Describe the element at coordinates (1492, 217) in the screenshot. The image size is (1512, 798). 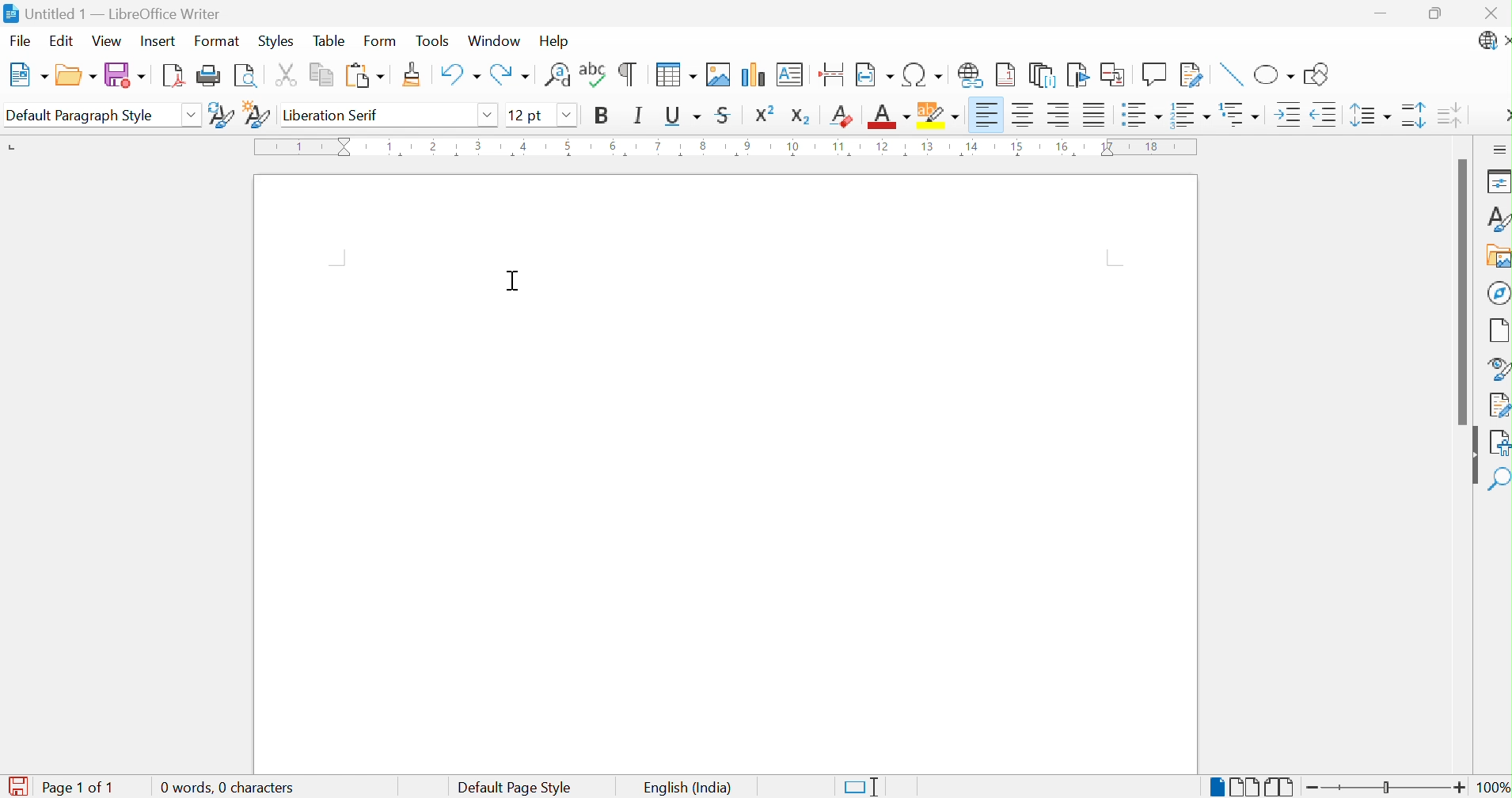
I see `Styles` at that location.